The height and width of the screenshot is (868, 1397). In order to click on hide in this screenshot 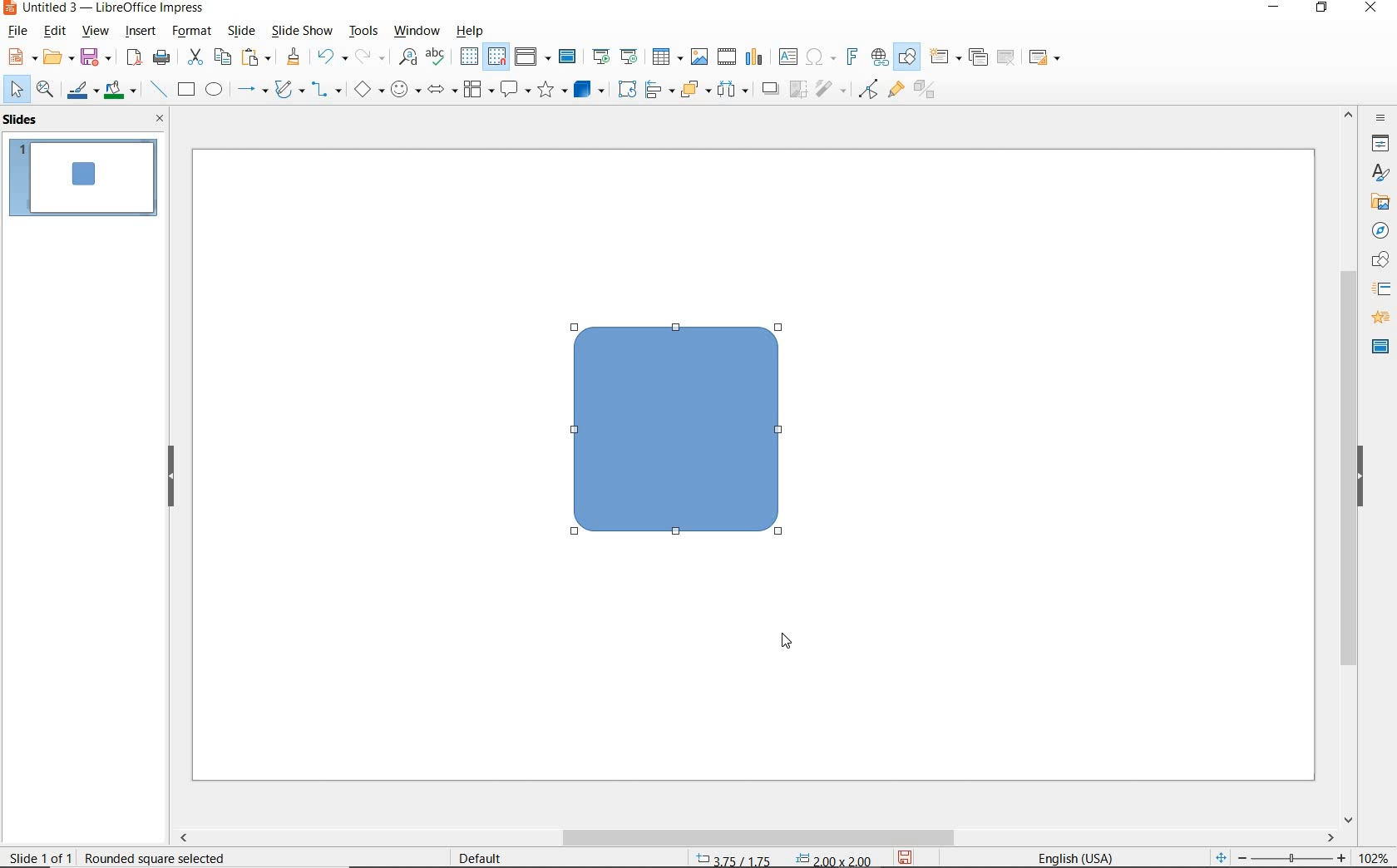, I will do `click(1360, 477)`.